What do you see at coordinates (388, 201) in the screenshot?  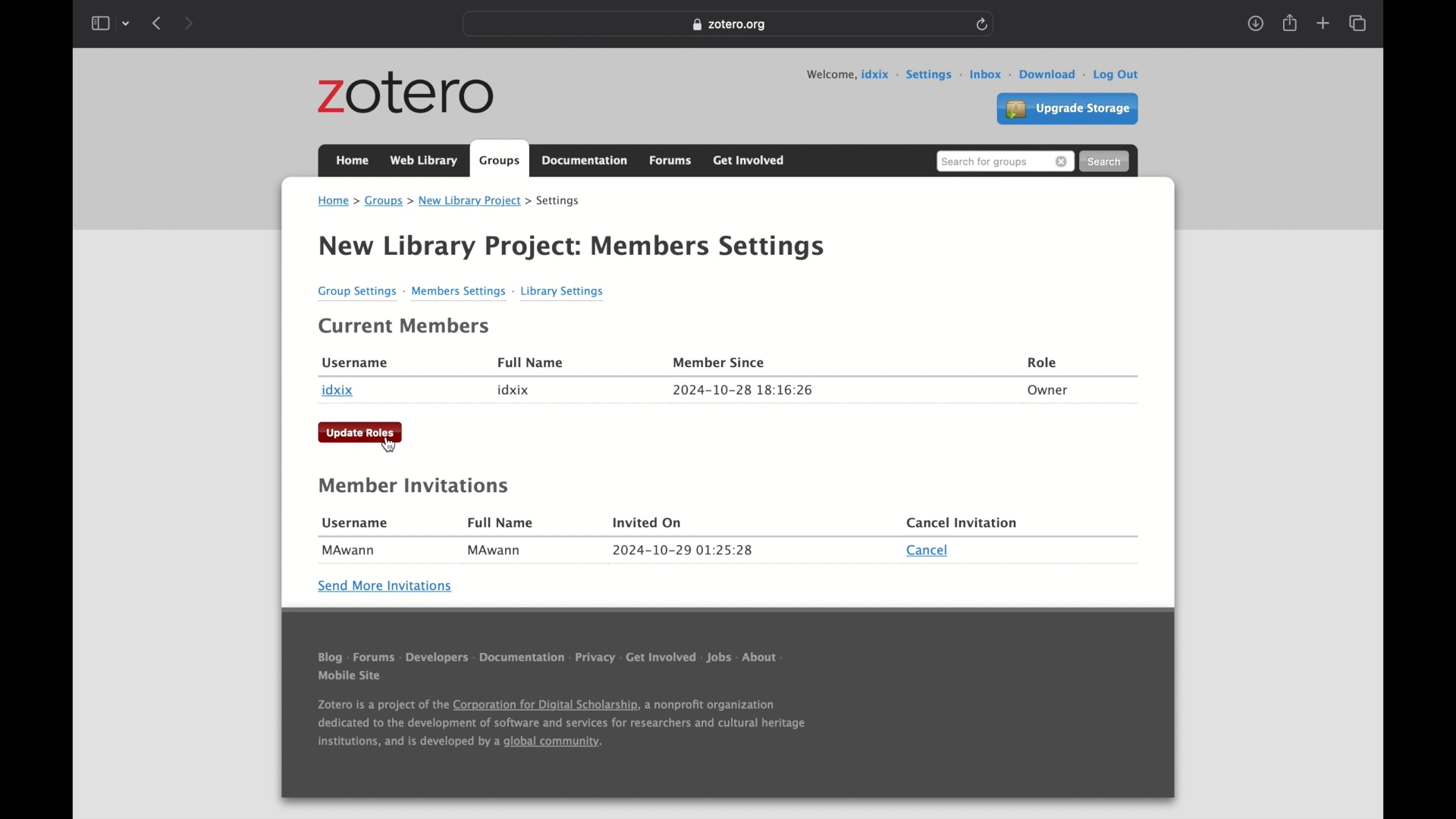 I see `groups` at bounding box center [388, 201].